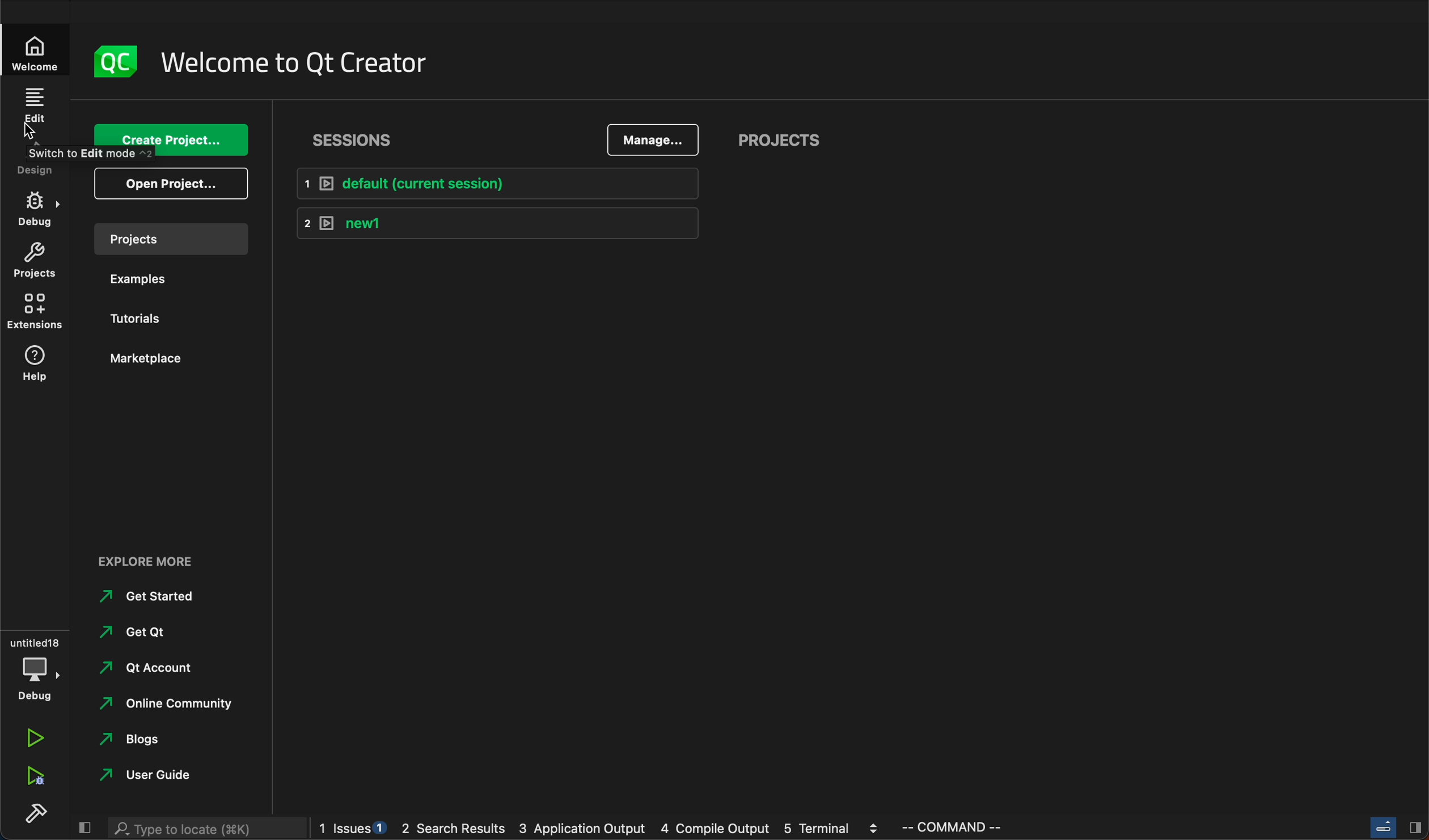  I want to click on examples, so click(141, 279).